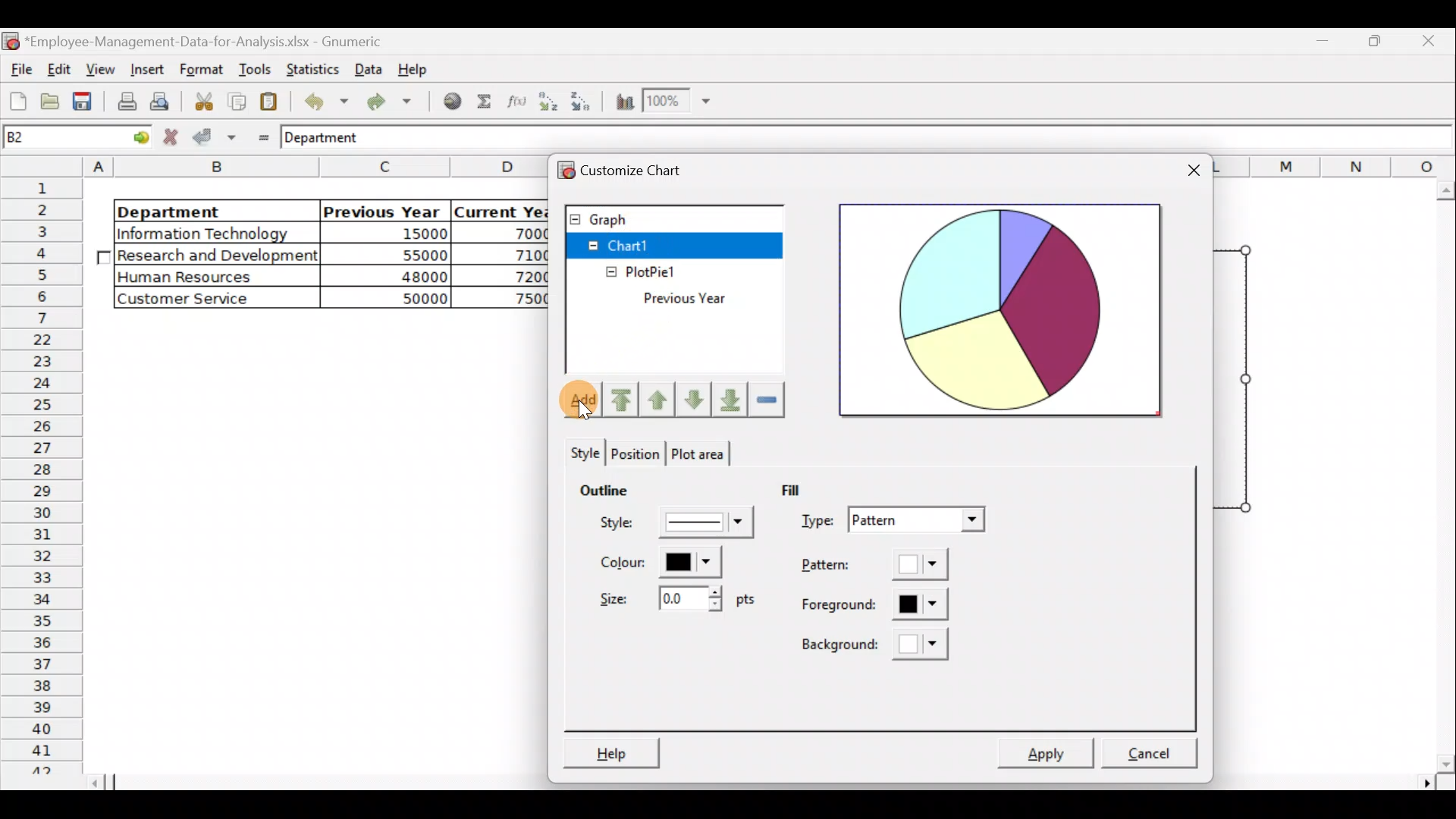 The height and width of the screenshot is (819, 1456). What do you see at coordinates (485, 100) in the screenshot?
I see `Sum into the current cell` at bounding box center [485, 100].